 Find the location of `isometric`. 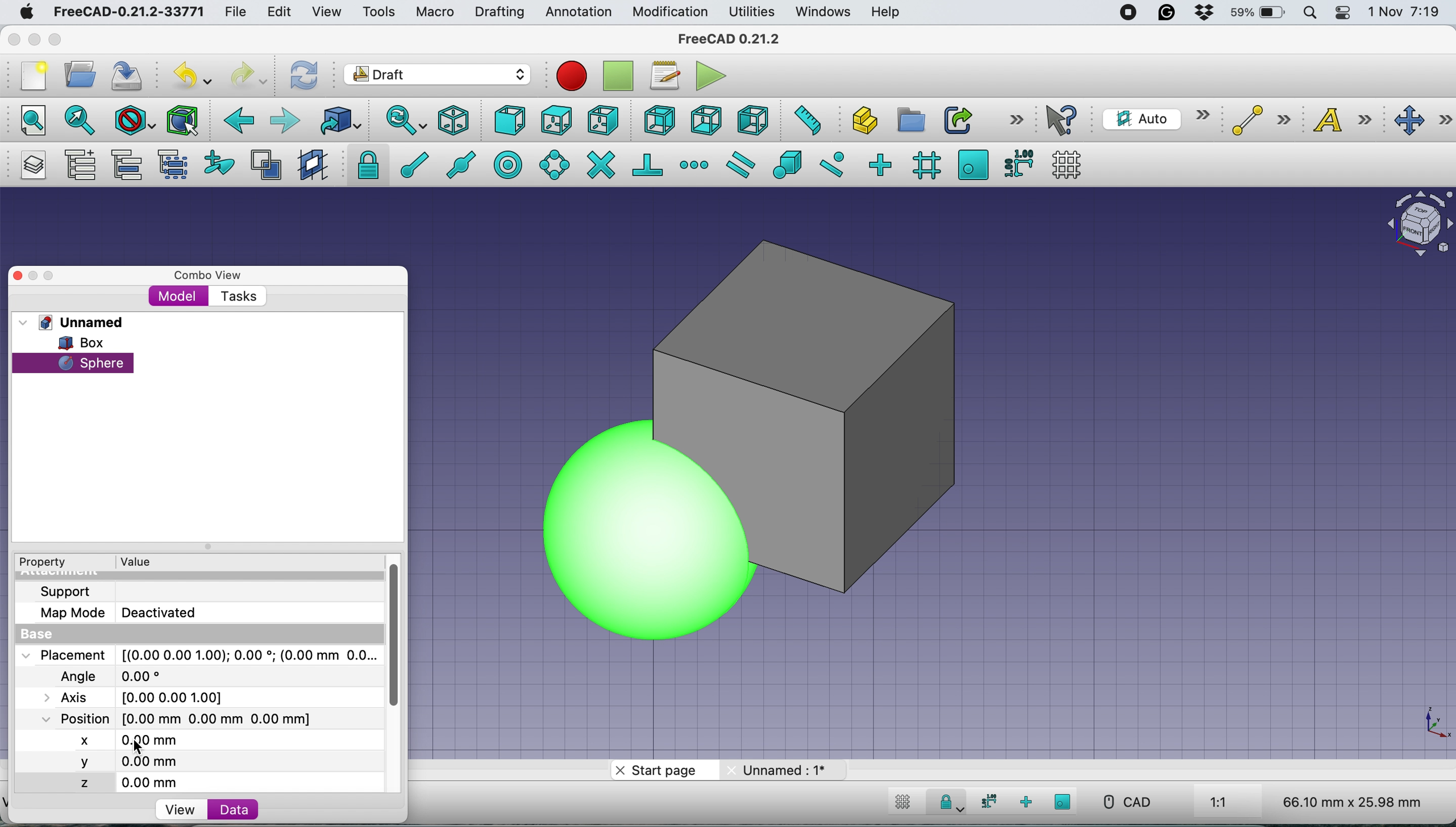

isometric is located at coordinates (458, 120).